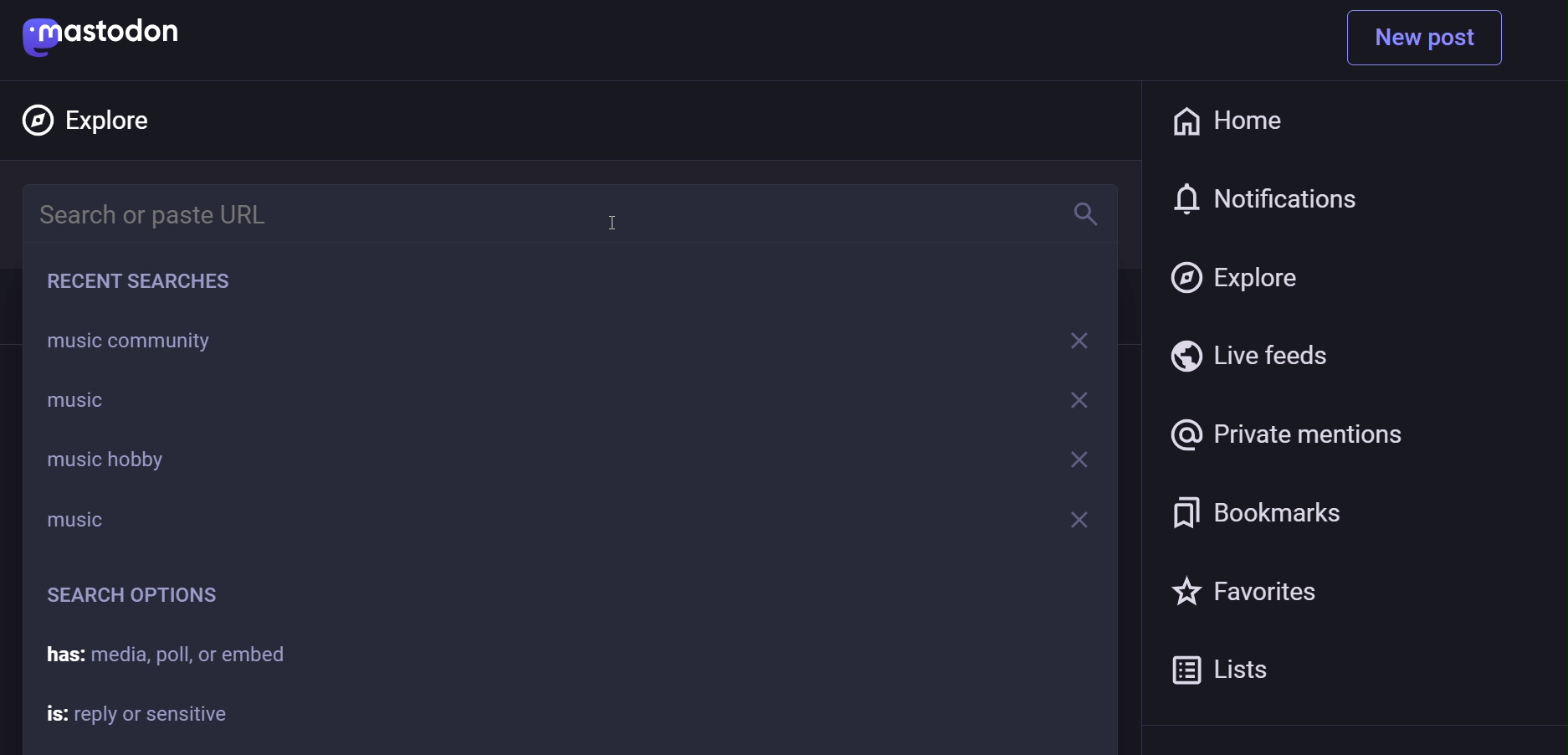  What do you see at coordinates (1251, 511) in the screenshot?
I see `bookmark` at bounding box center [1251, 511].